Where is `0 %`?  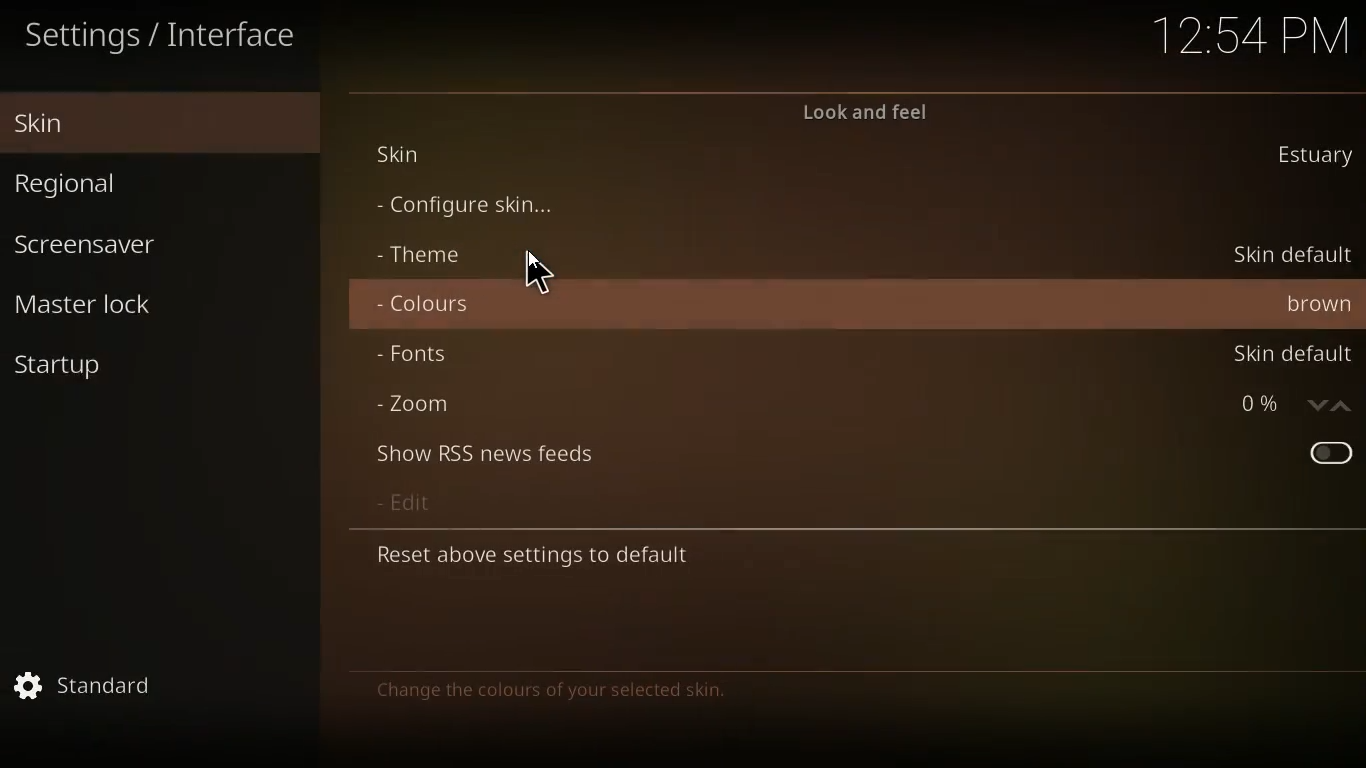
0 % is located at coordinates (1257, 405).